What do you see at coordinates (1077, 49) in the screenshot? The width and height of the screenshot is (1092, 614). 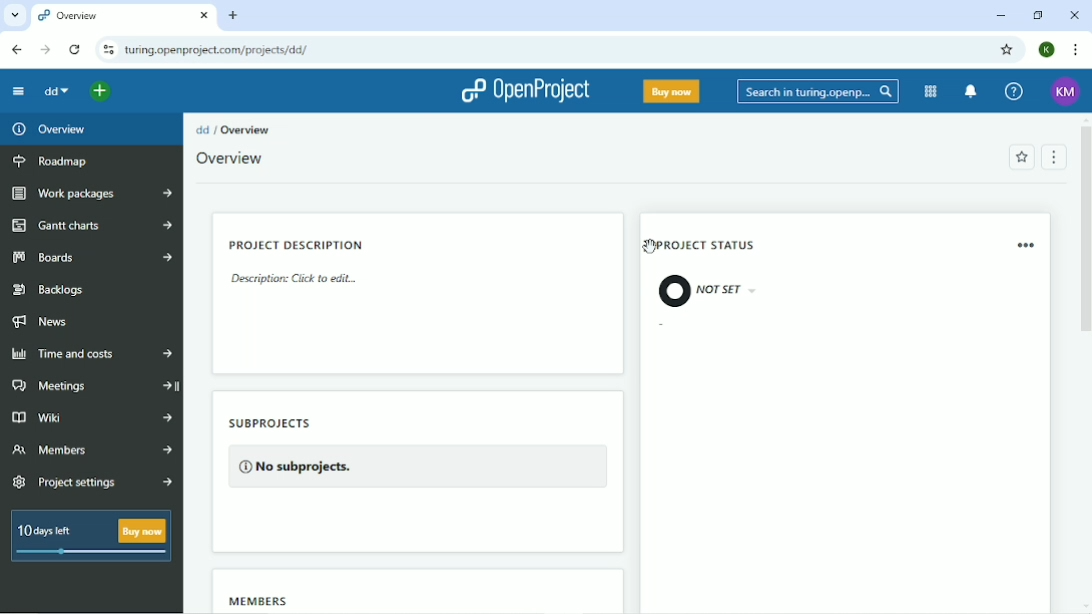 I see `Customize and control google chrome` at bounding box center [1077, 49].